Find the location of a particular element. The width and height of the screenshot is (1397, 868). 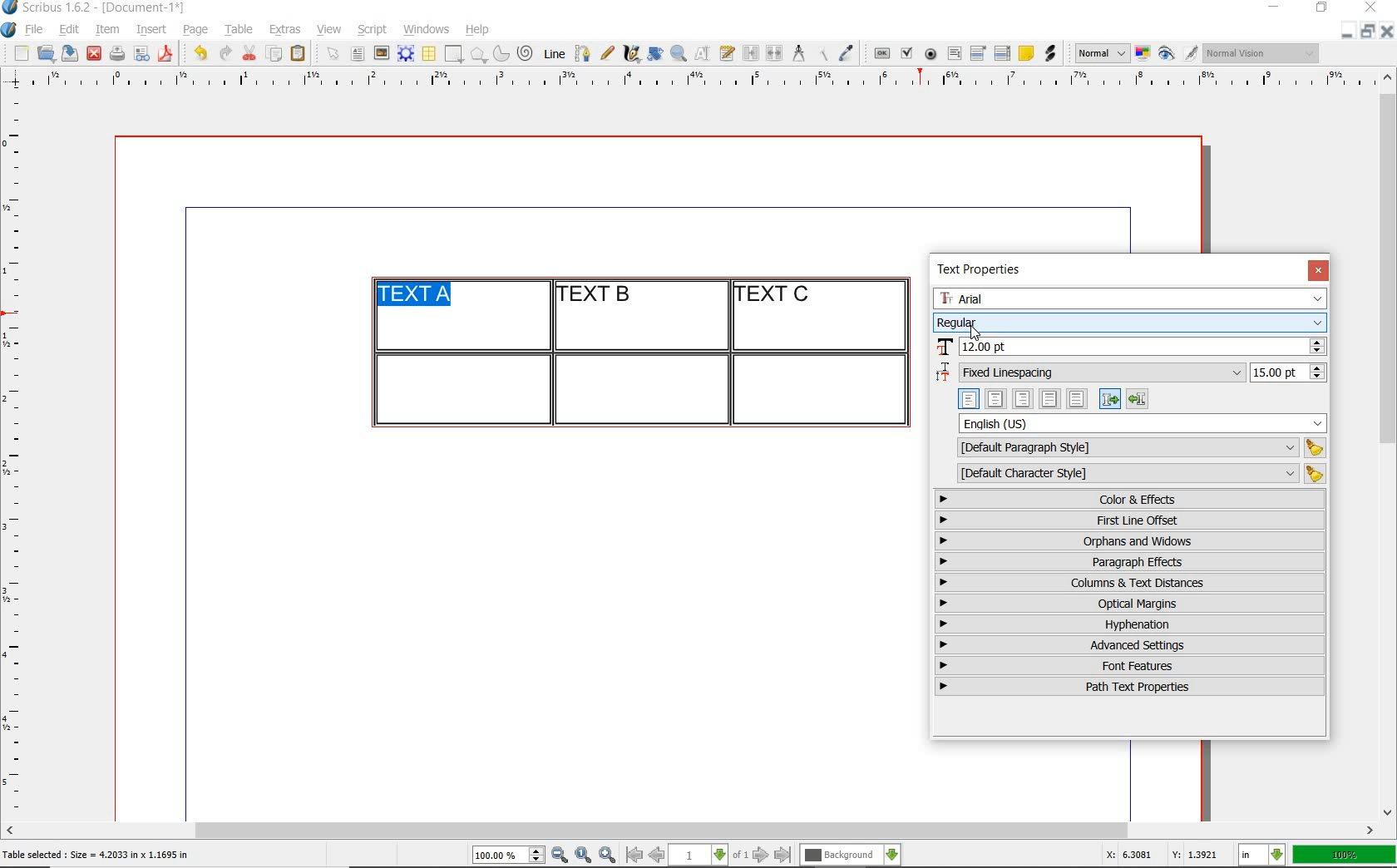

table is located at coordinates (239, 30).